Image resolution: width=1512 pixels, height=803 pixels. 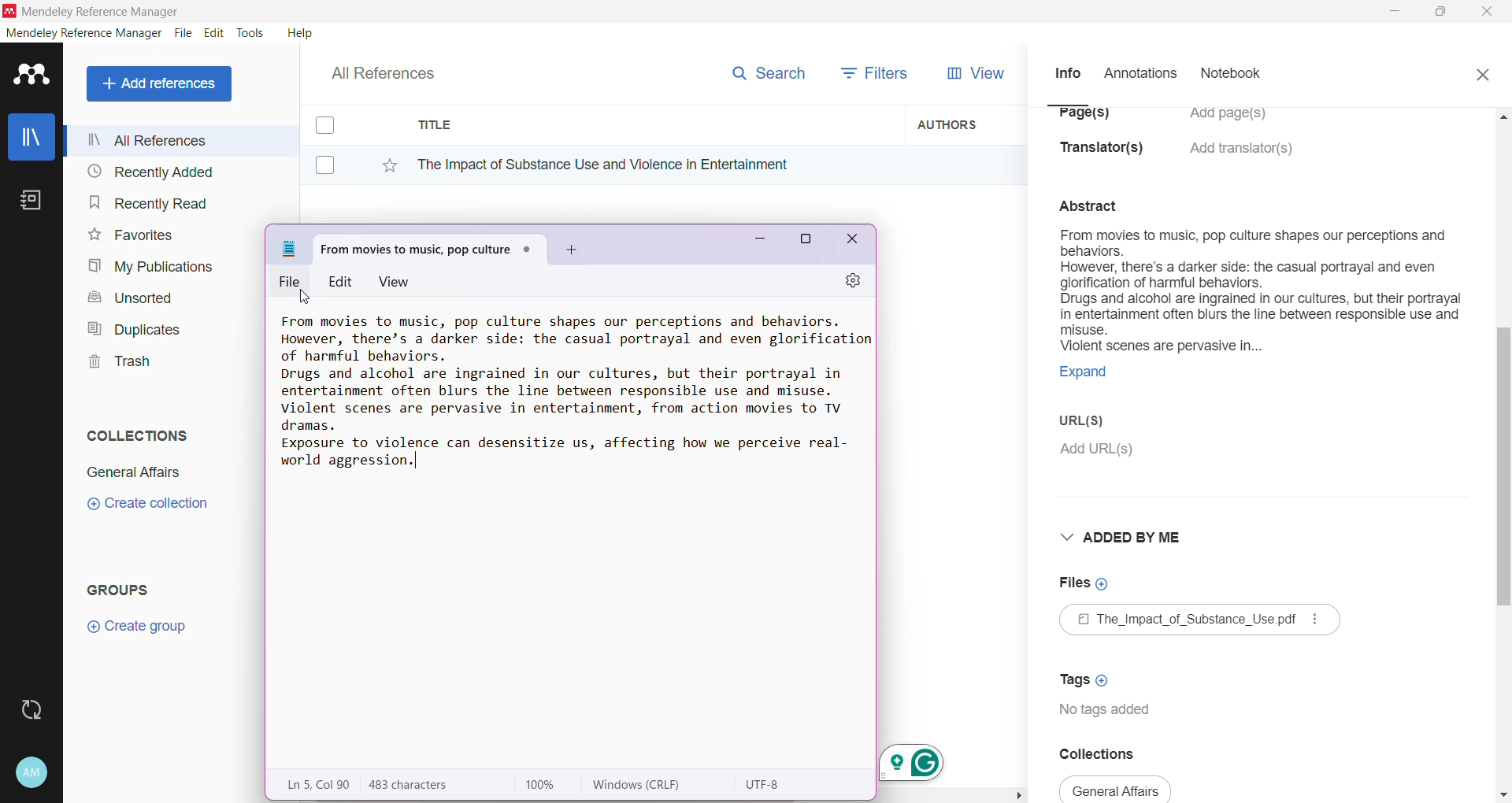 What do you see at coordinates (306, 298) in the screenshot?
I see `Cursor` at bounding box center [306, 298].